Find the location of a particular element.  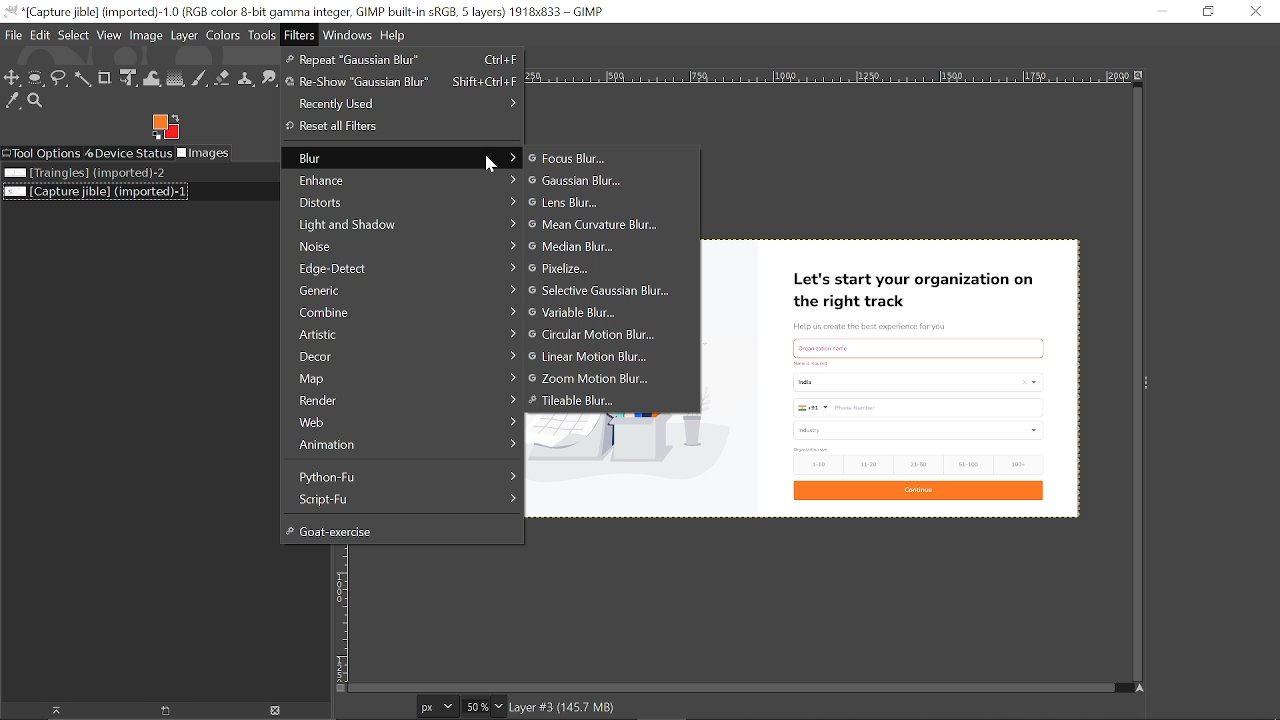

Pixelize is located at coordinates (593, 269).